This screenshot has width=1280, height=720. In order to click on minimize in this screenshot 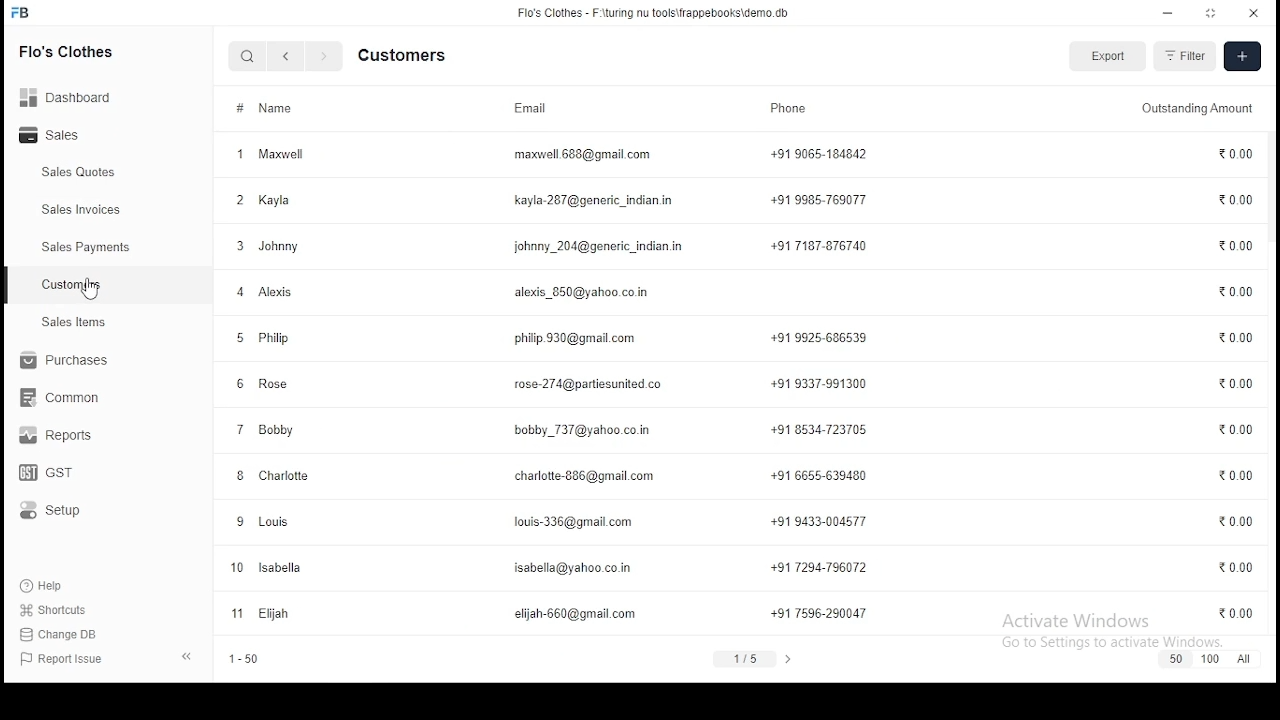, I will do `click(1170, 12)`.